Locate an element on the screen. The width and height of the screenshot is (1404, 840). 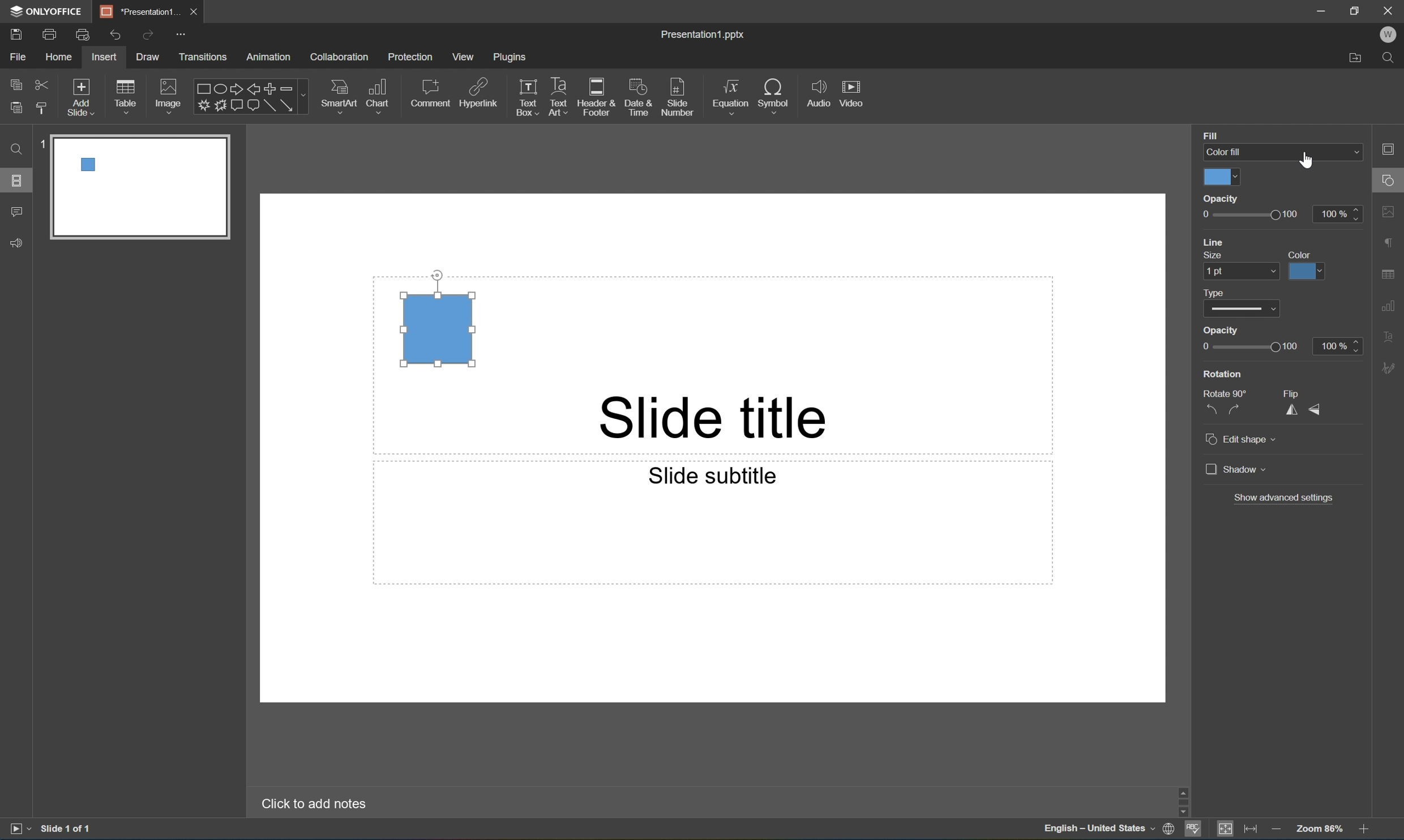
Set document language is located at coordinates (1169, 830).